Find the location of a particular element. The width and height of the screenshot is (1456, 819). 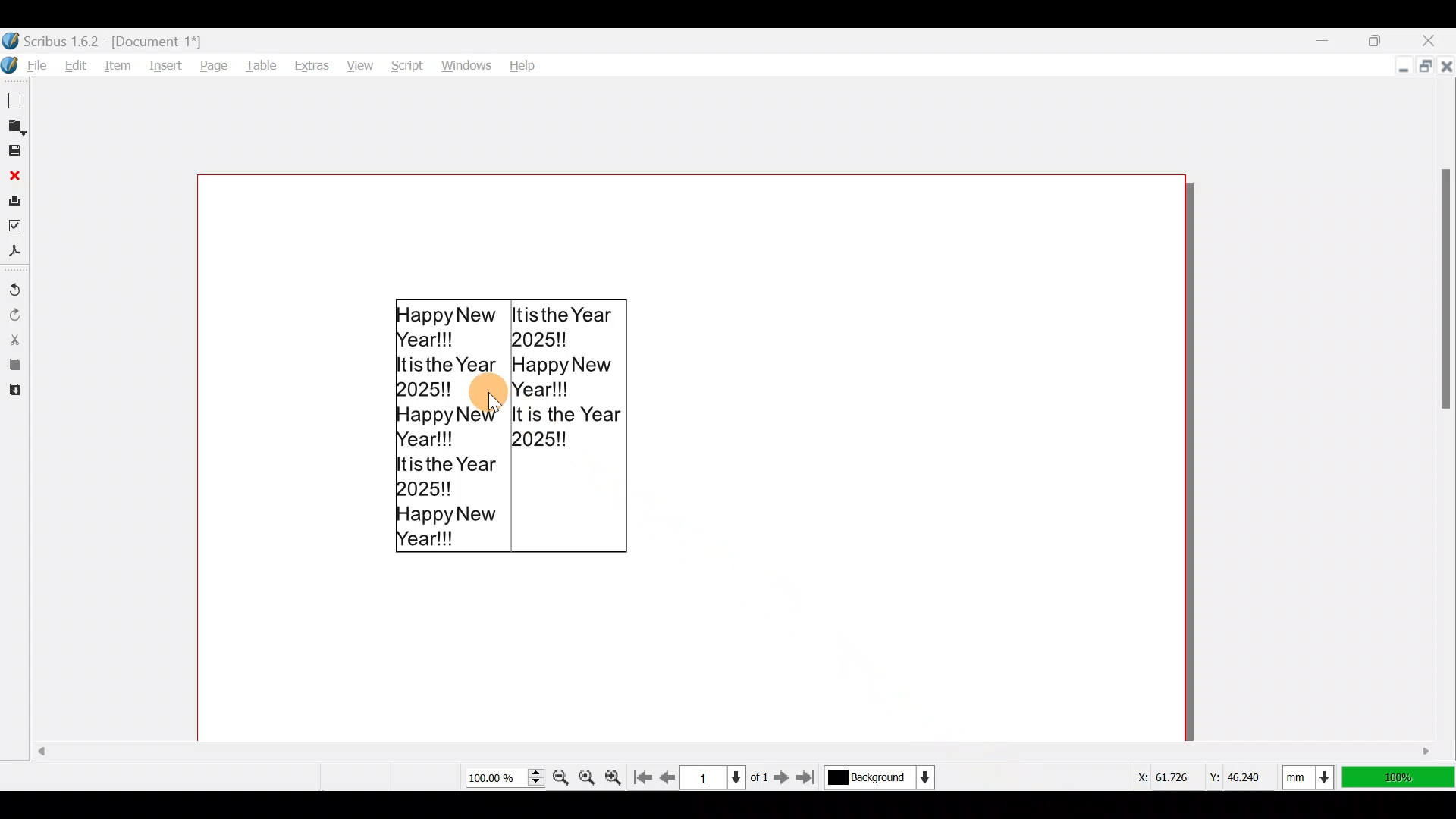

Script is located at coordinates (405, 61).